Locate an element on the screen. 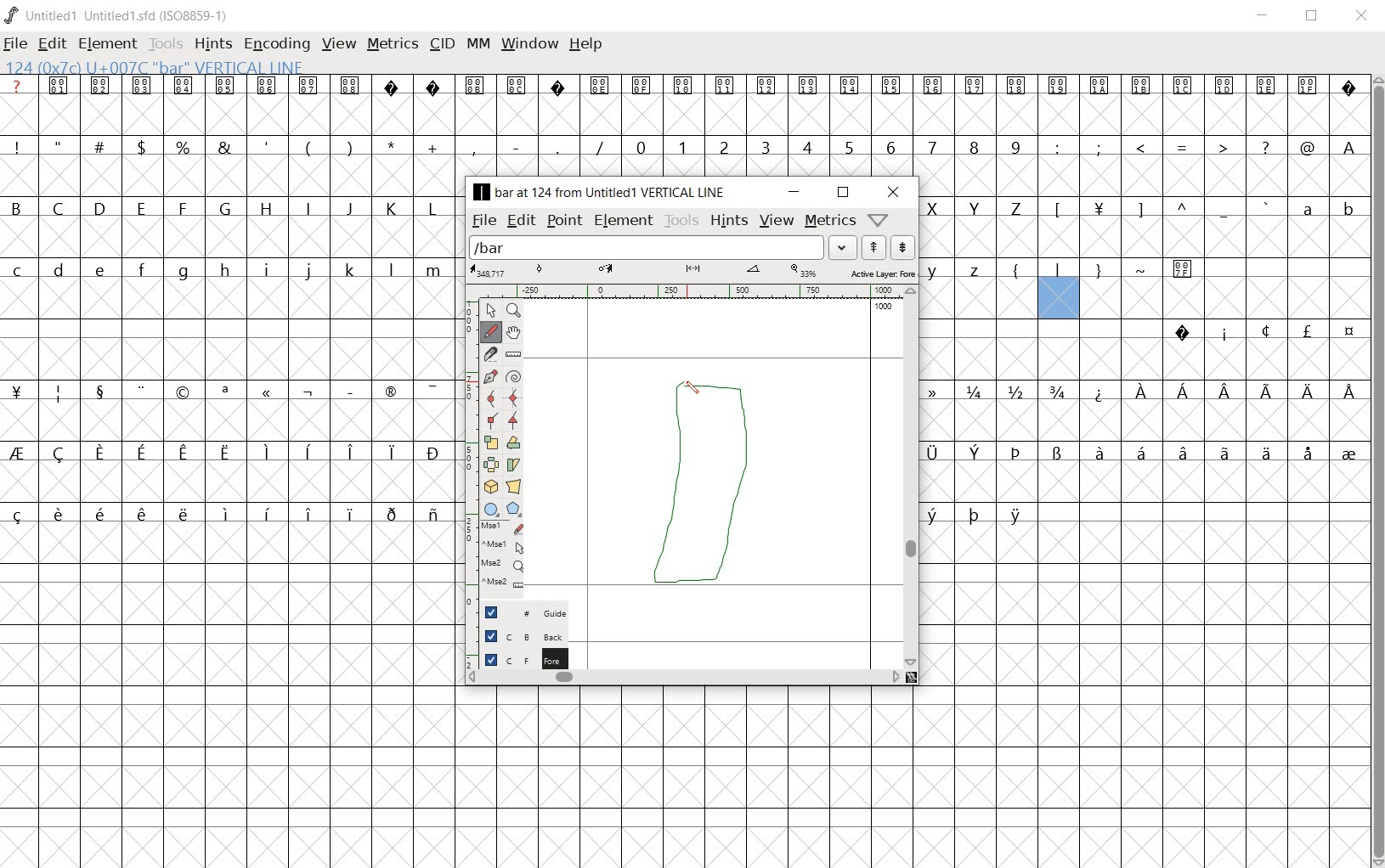  empty cells is located at coordinates (229, 238).